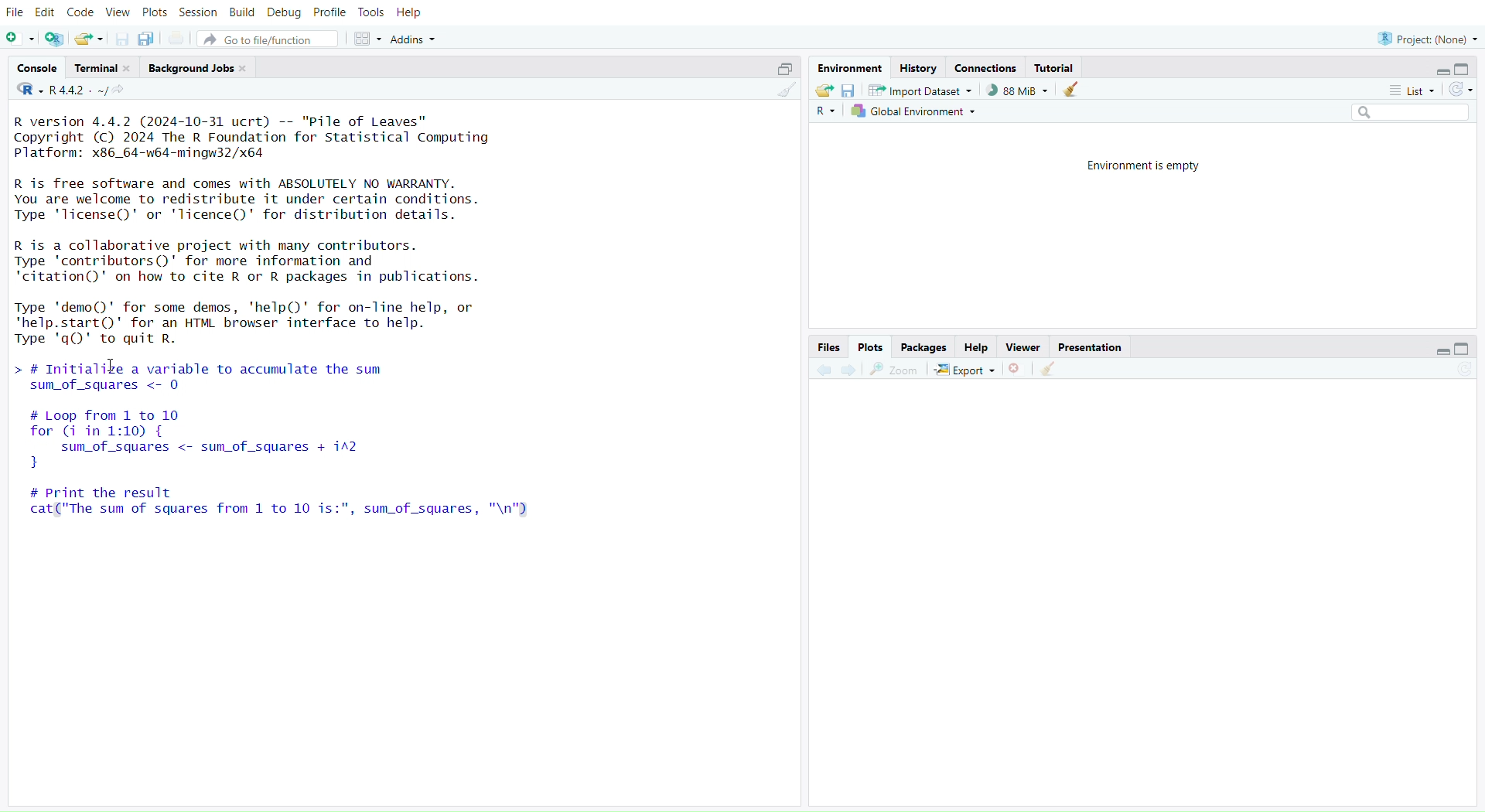 This screenshot has width=1485, height=812. What do you see at coordinates (1467, 348) in the screenshot?
I see `collapse` at bounding box center [1467, 348].